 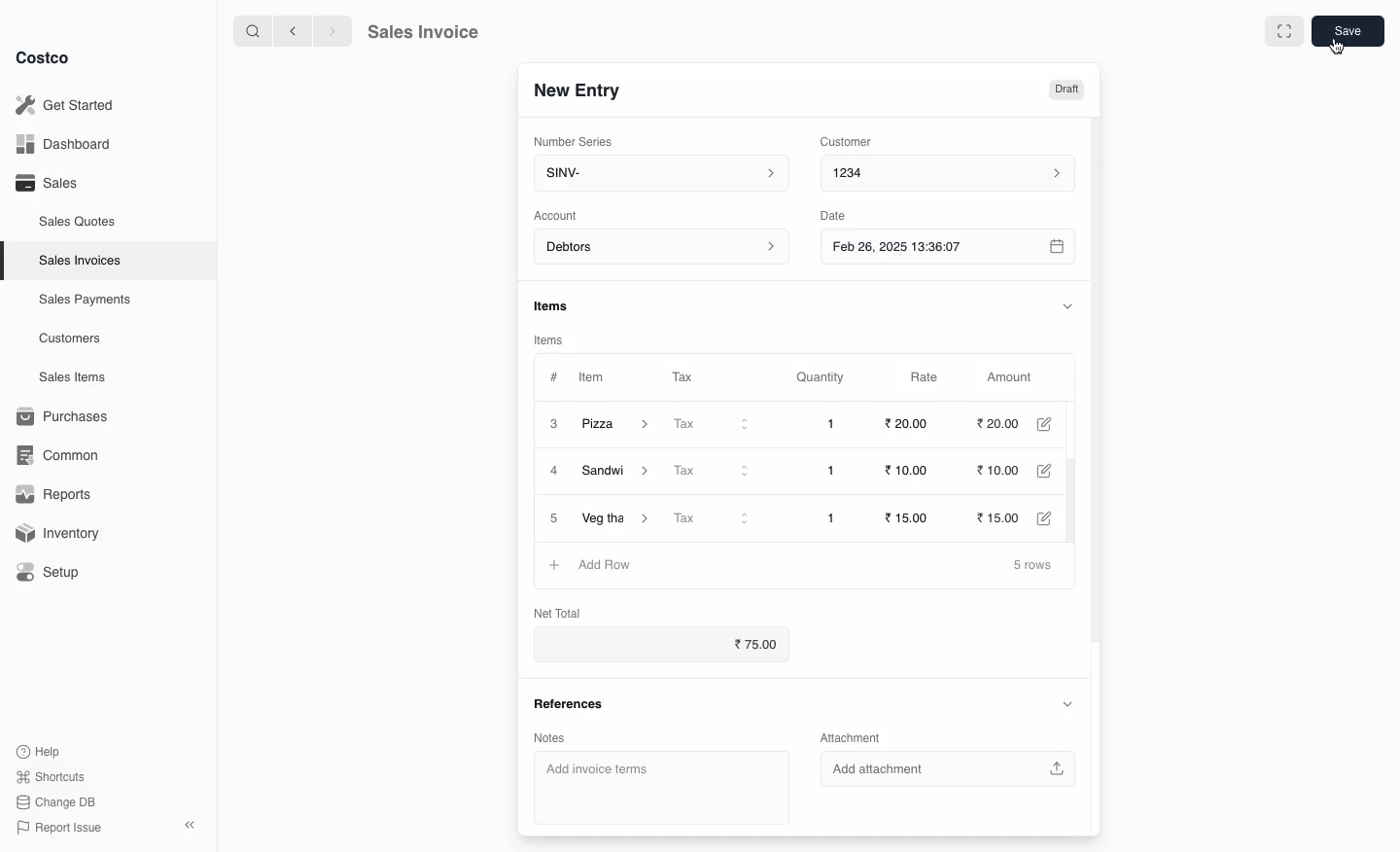 I want to click on Amount, so click(x=1015, y=377).